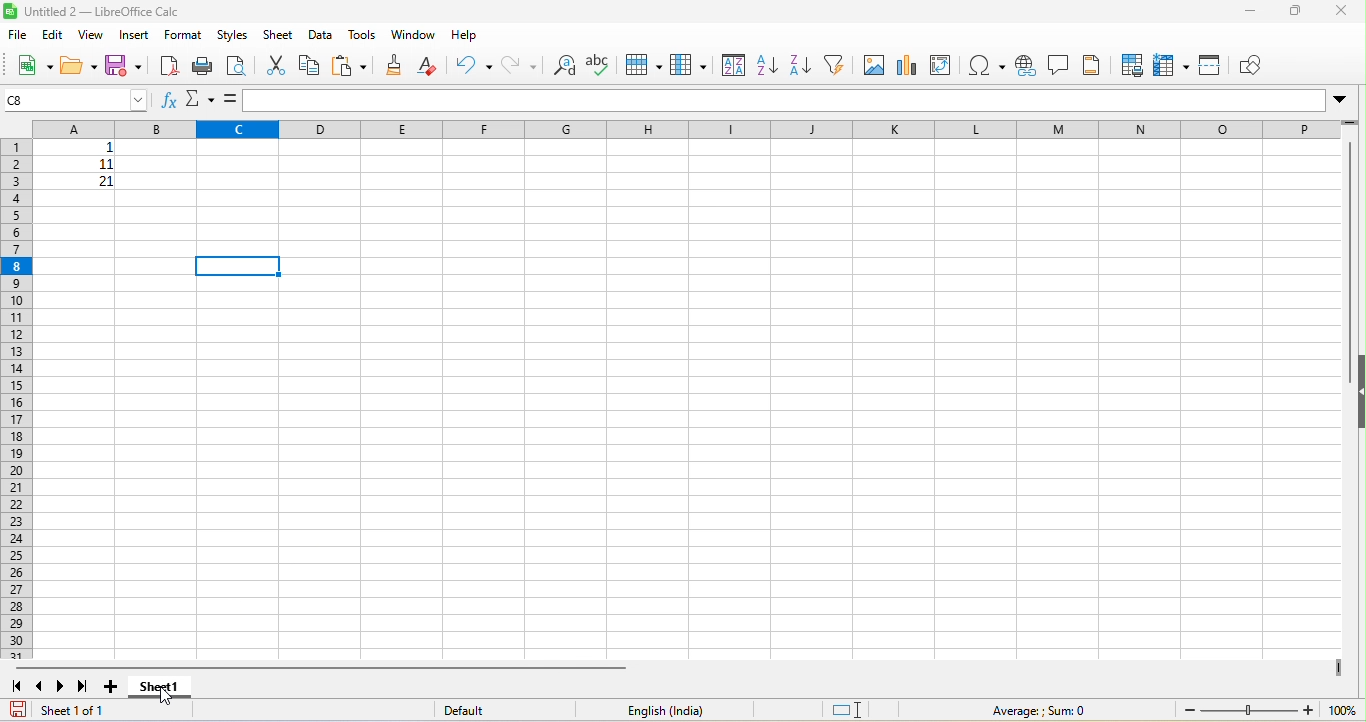 The image size is (1366, 722). What do you see at coordinates (1170, 65) in the screenshot?
I see `freeze rows and columns` at bounding box center [1170, 65].